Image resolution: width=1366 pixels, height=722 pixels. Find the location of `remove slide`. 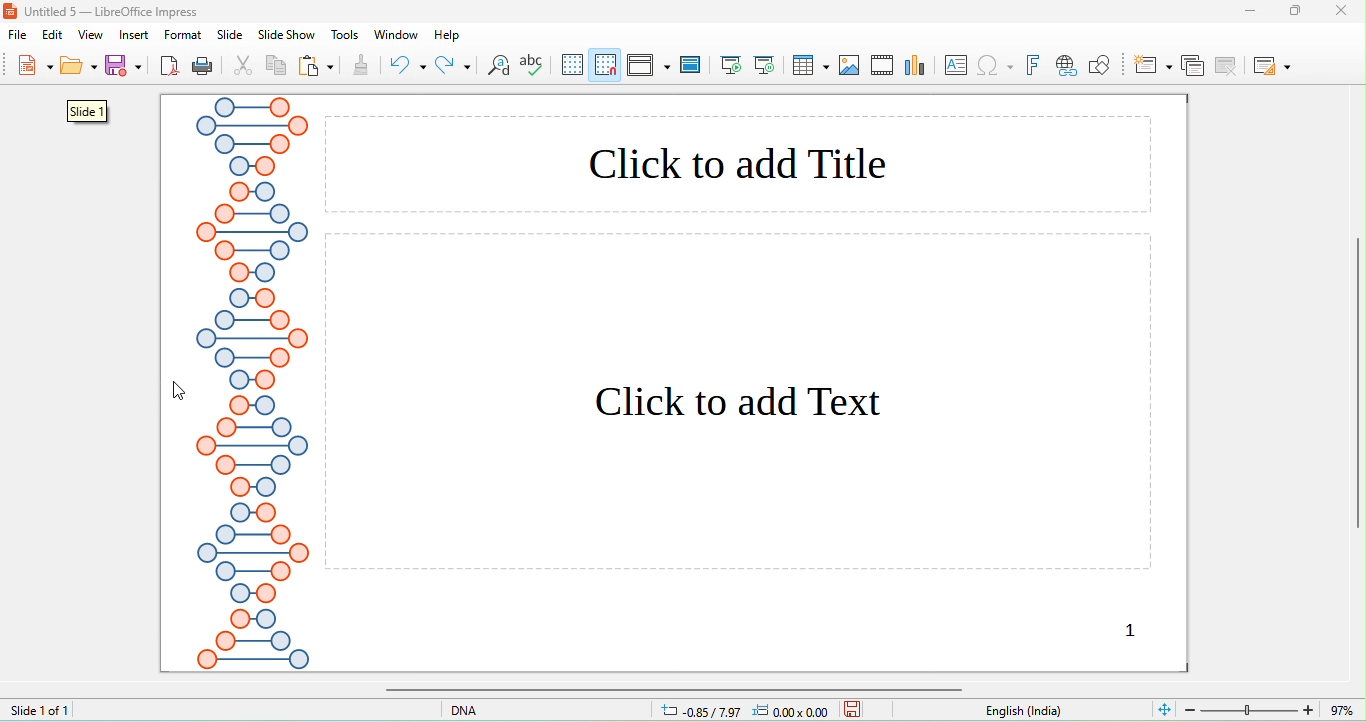

remove slide is located at coordinates (1229, 65).